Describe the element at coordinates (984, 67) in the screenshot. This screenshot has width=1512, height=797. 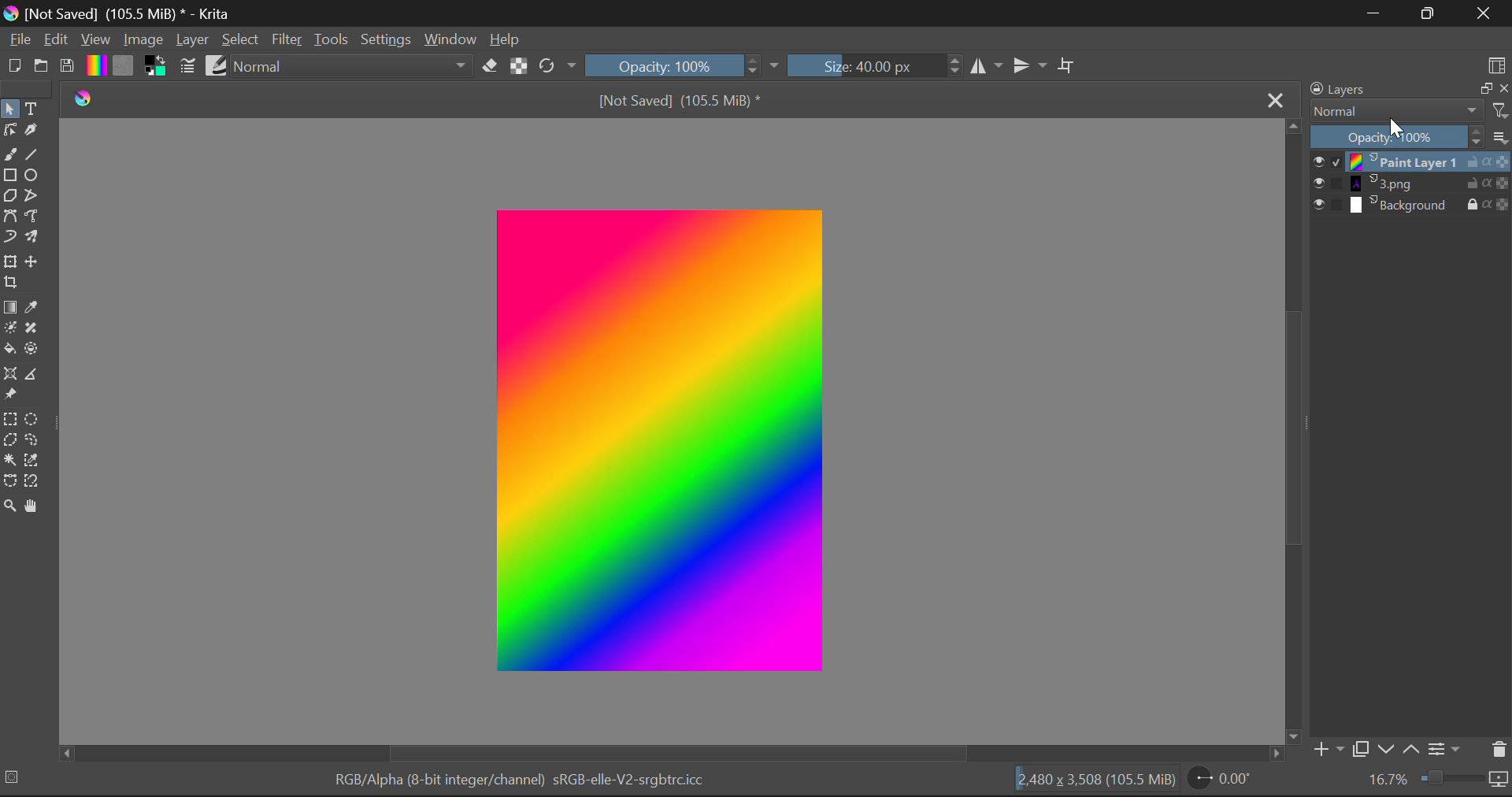
I see `Vertical Mirror Flip` at that location.